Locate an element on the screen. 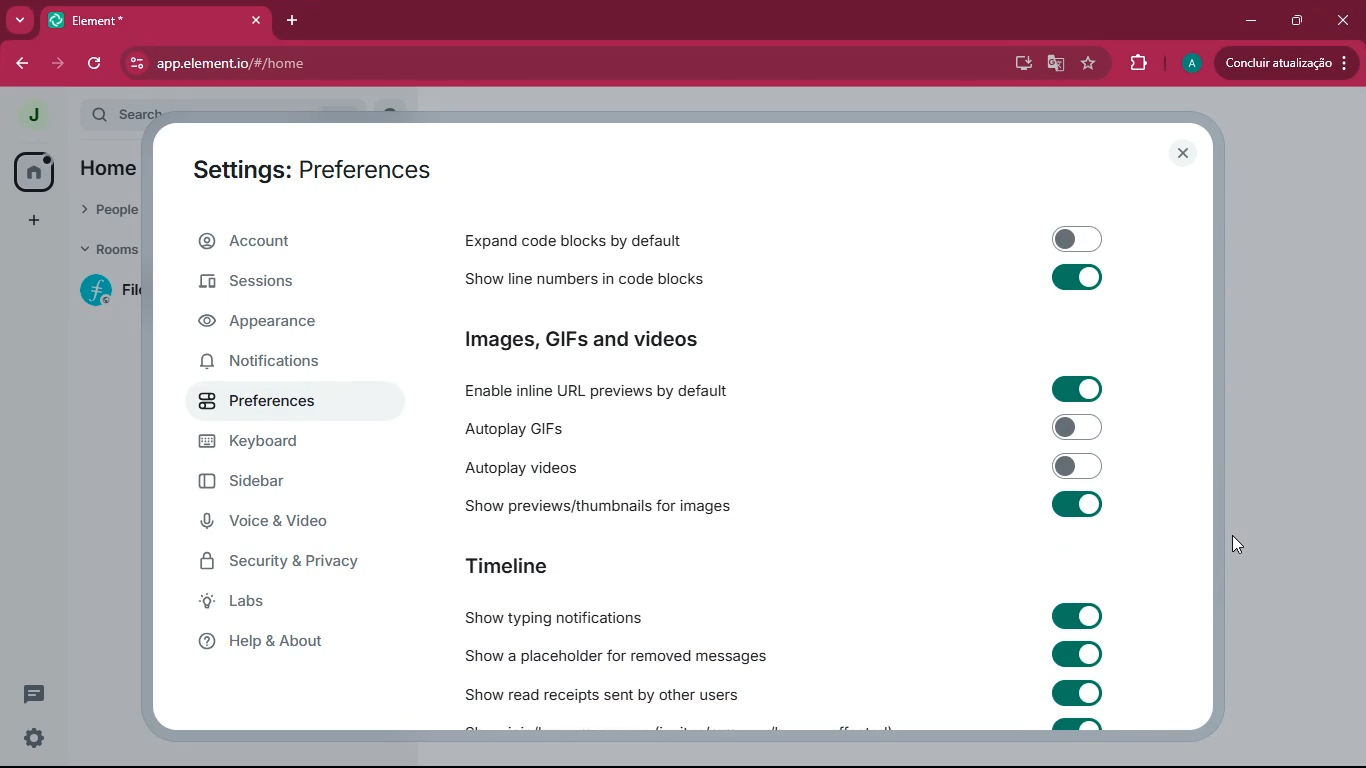 The width and height of the screenshot is (1366, 768). toggle on/off is located at coordinates (1078, 389).